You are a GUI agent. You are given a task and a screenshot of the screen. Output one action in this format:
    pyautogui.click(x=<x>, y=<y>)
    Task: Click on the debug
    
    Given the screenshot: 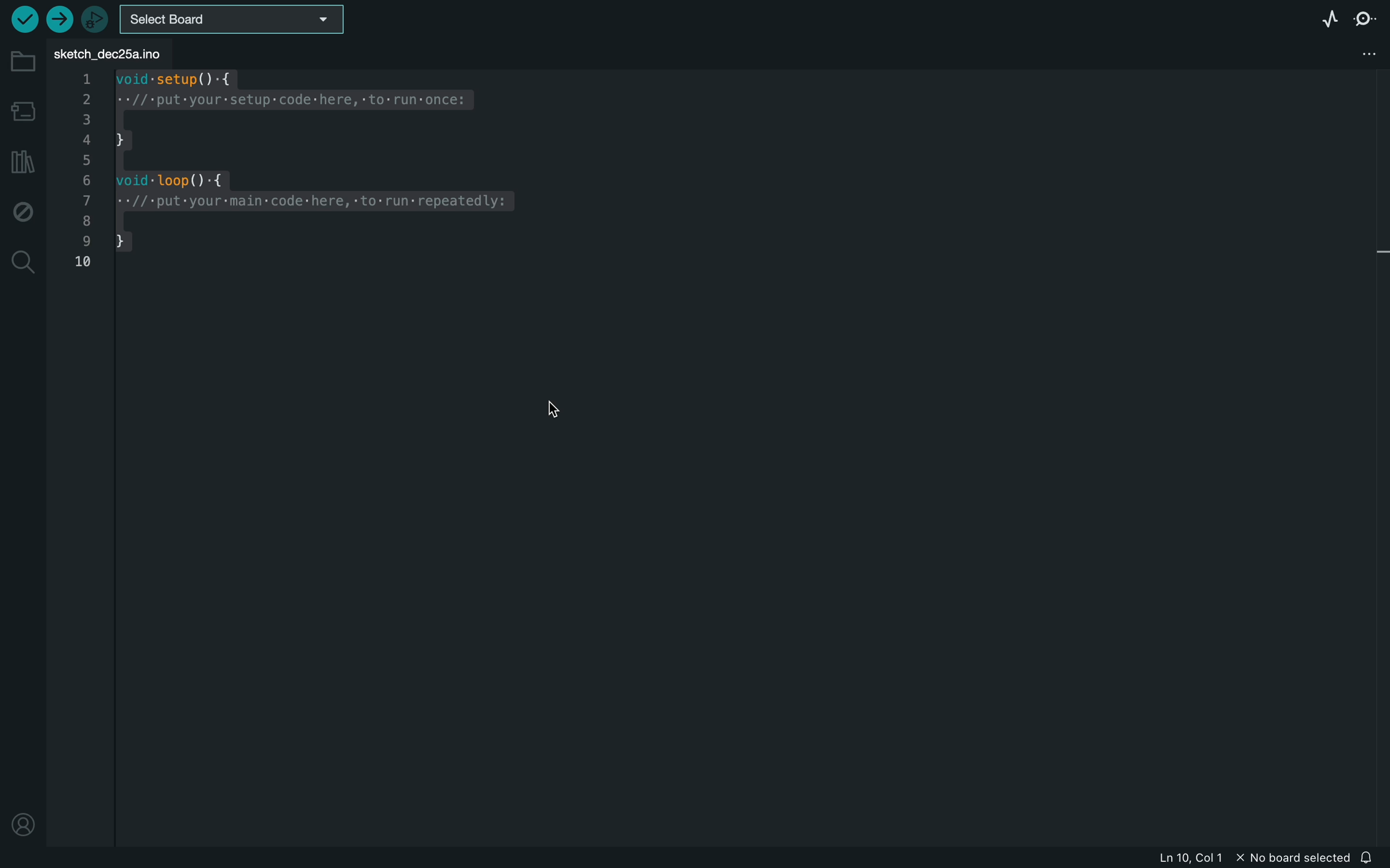 What is the action you would take?
    pyautogui.click(x=23, y=211)
    